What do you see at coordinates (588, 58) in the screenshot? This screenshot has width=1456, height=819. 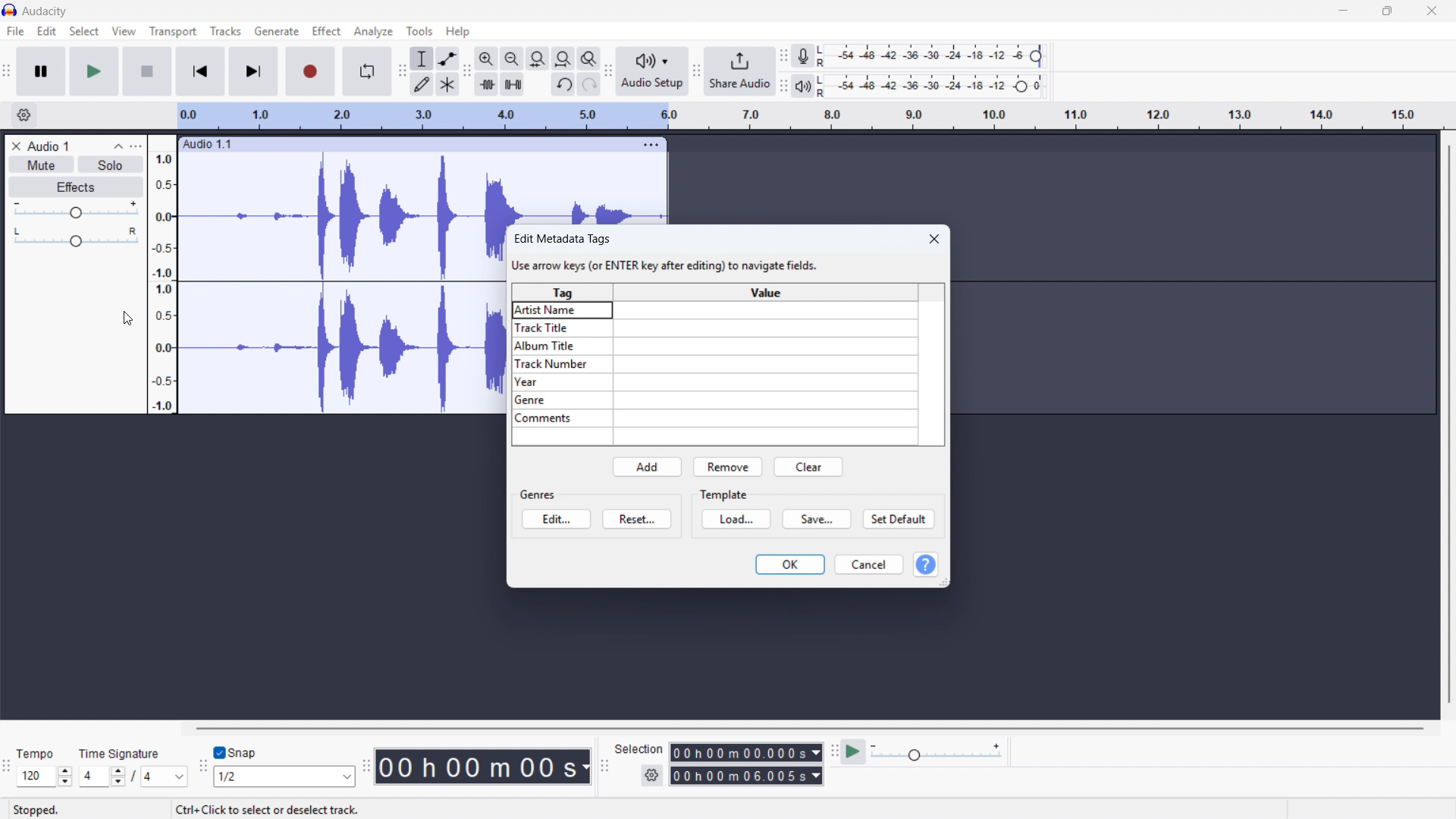 I see `toggle zoom` at bounding box center [588, 58].